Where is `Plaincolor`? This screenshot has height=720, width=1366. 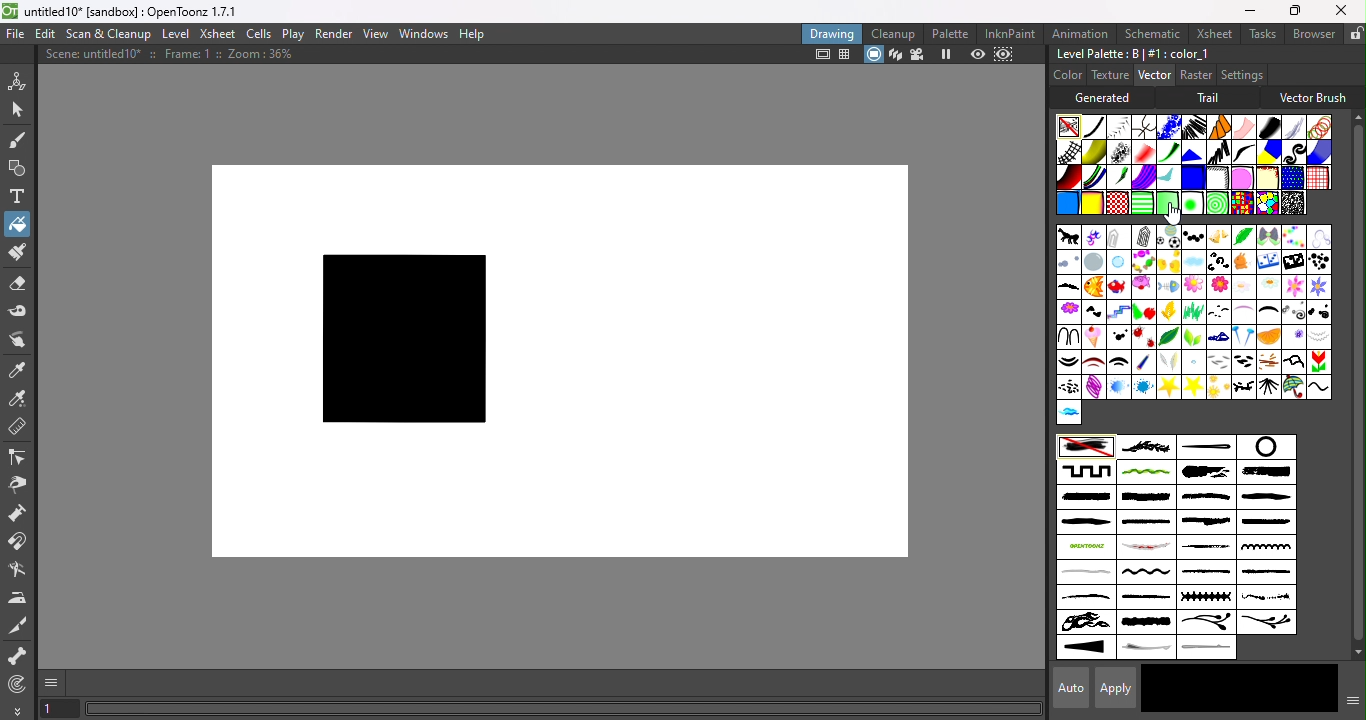 Plaincolor is located at coordinates (1087, 448).